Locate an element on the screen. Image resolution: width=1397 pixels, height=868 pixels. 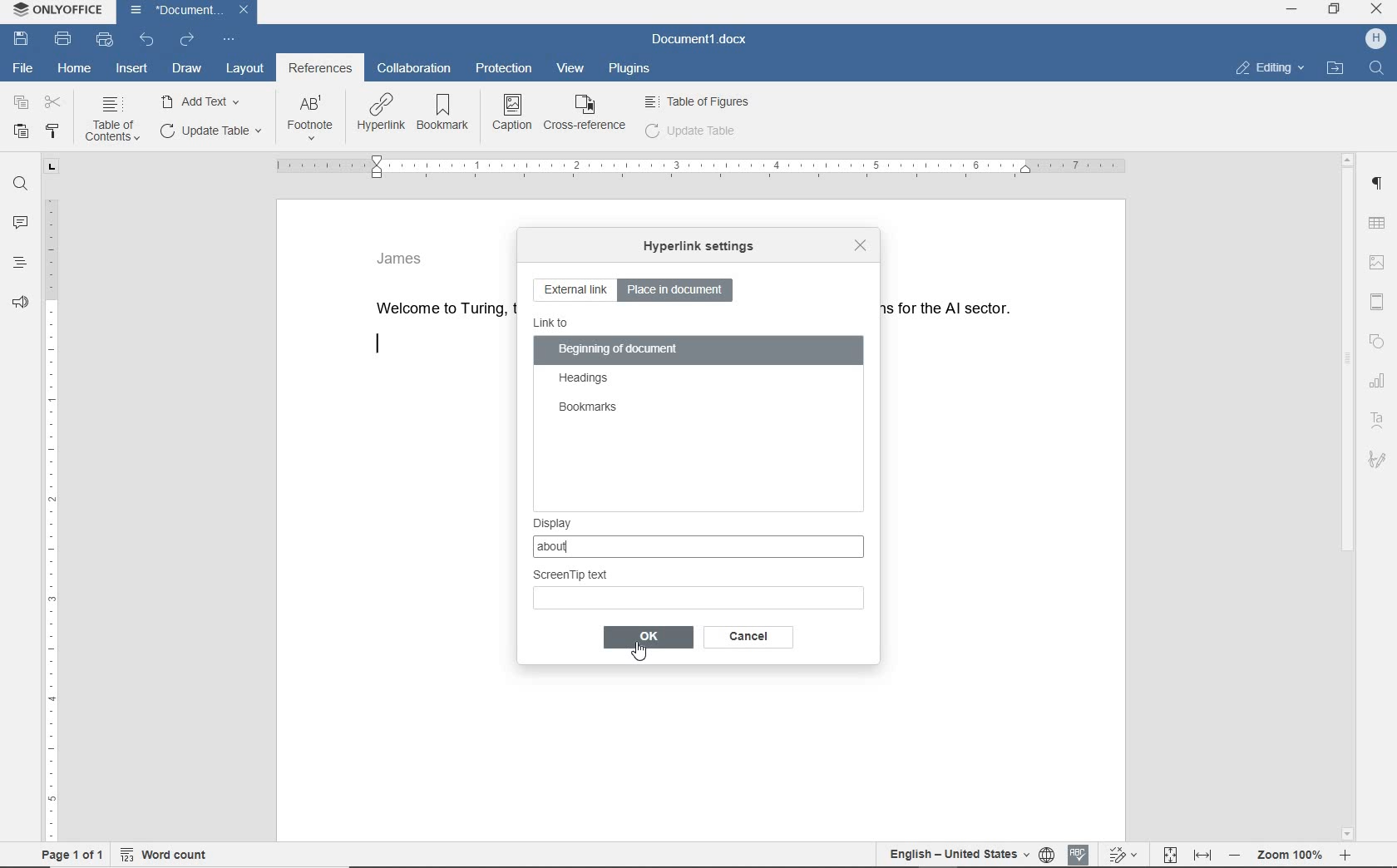
shape is located at coordinates (1377, 343).